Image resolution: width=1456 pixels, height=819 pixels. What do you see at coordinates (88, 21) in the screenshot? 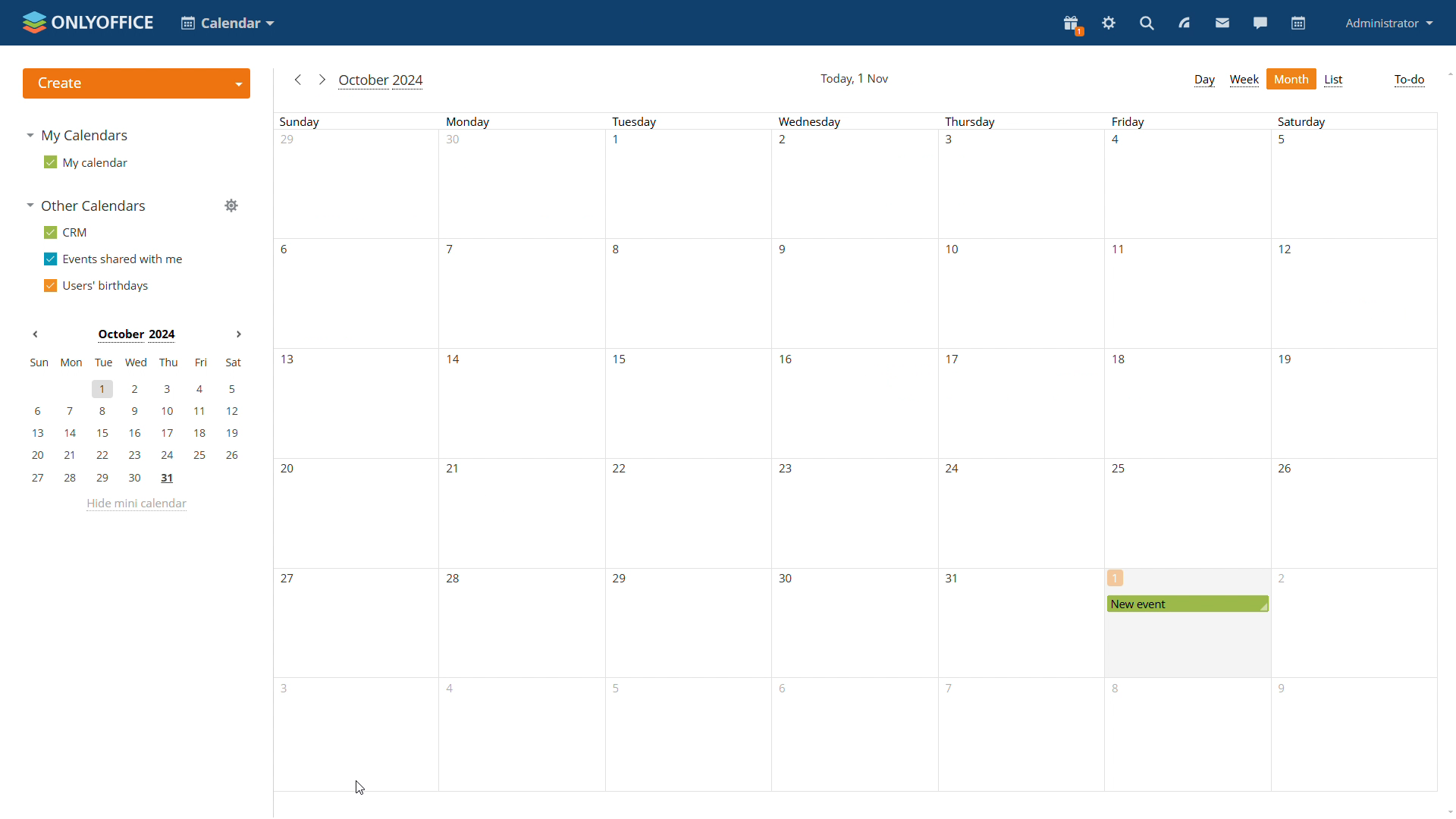
I see `logo` at bounding box center [88, 21].